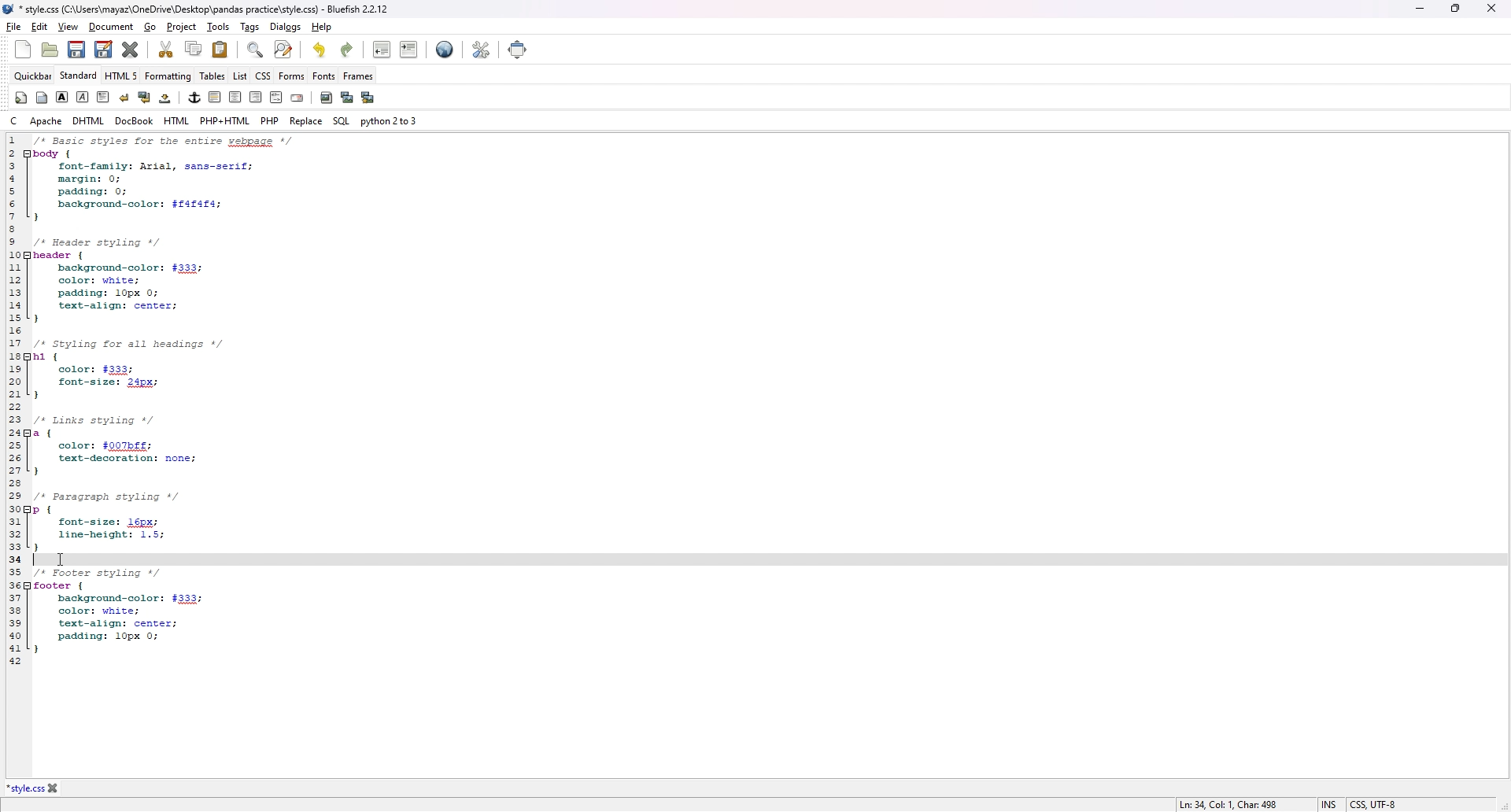 The image size is (1511, 812). Describe the element at coordinates (286, 28) in the screenshot. I see `dialogs` at that location.